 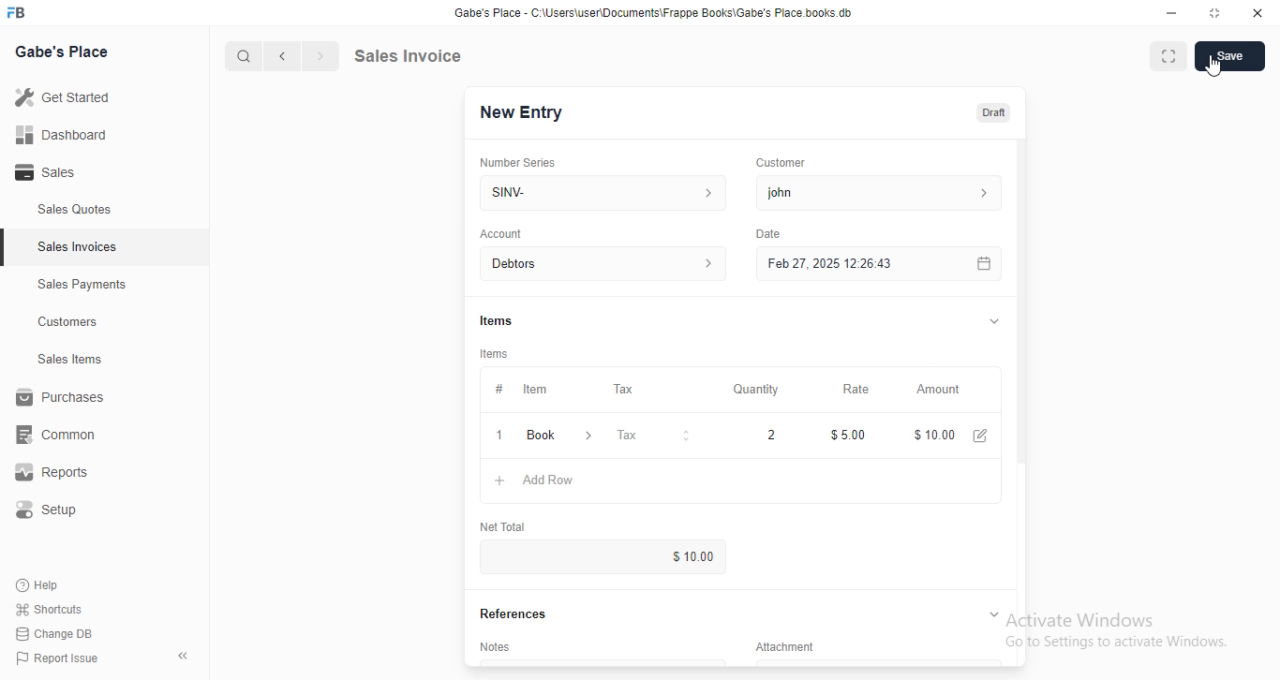 What do you see at coordinates (49, 473) in the screenshot?
I see `Reports` at bounding box center [49, 473].